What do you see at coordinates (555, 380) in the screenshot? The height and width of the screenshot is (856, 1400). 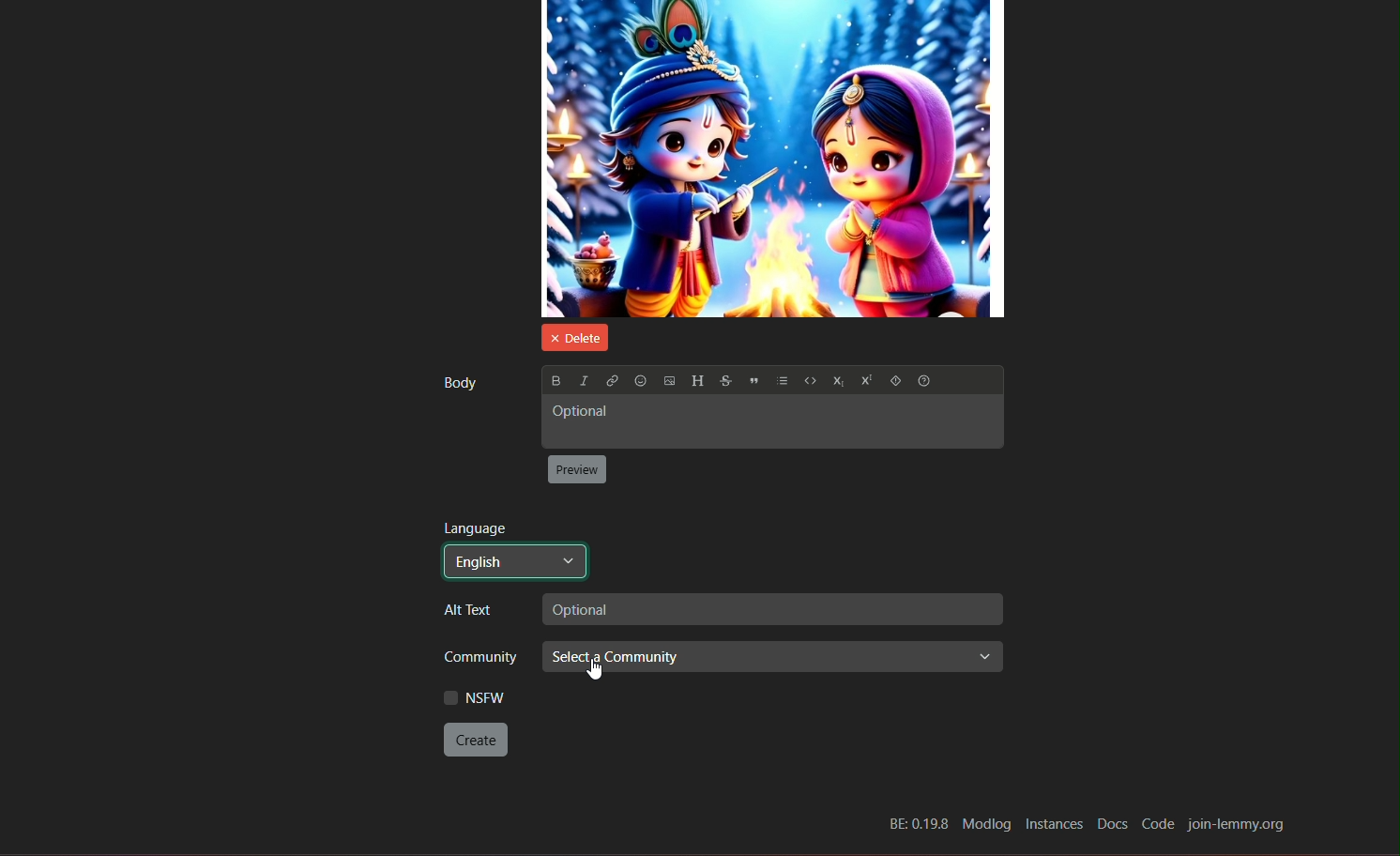 I see `bold` at bounding box center [555, 380].